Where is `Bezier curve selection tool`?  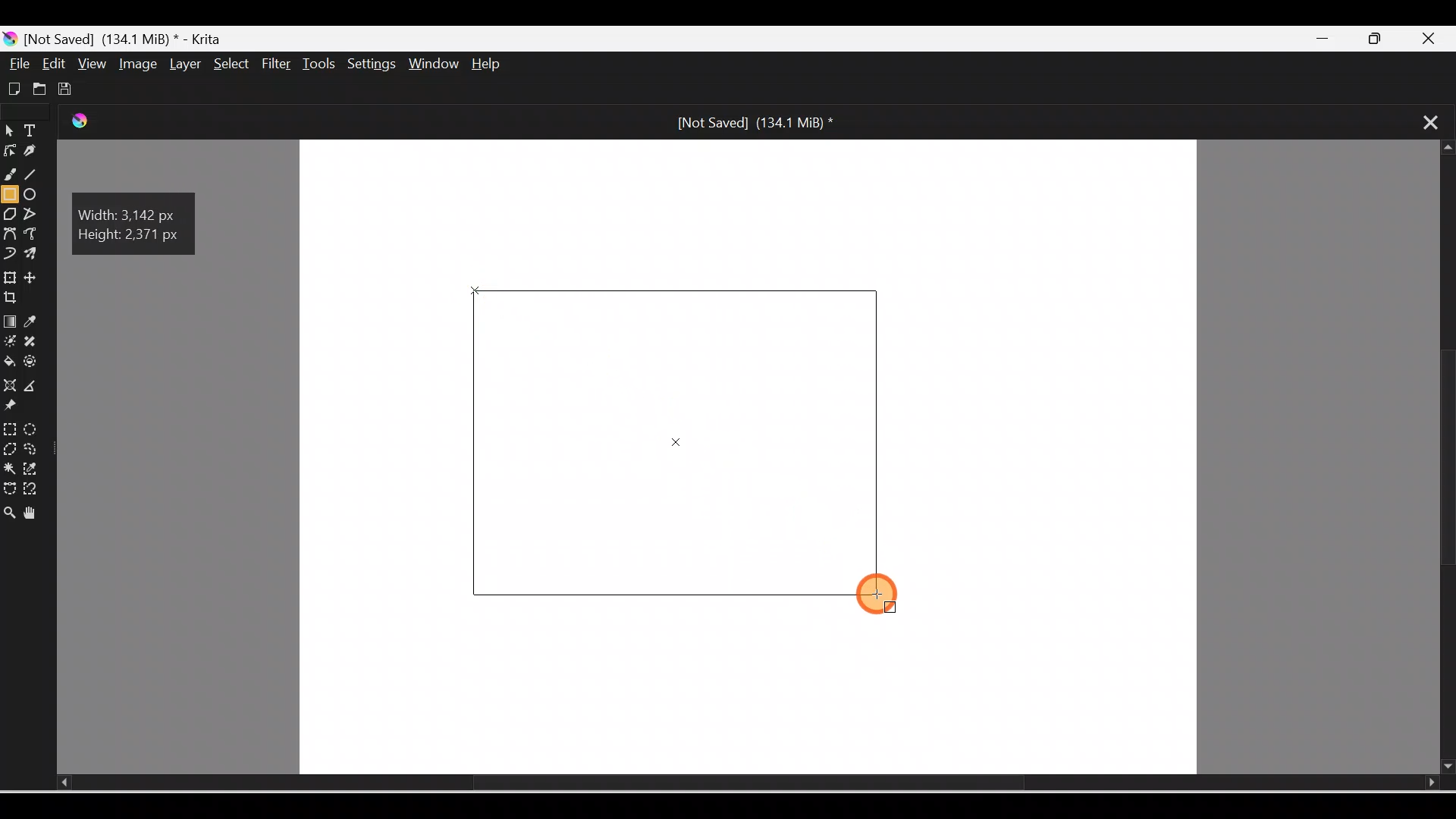 Bezier curve selection tool is located at coordinates (9, 485).